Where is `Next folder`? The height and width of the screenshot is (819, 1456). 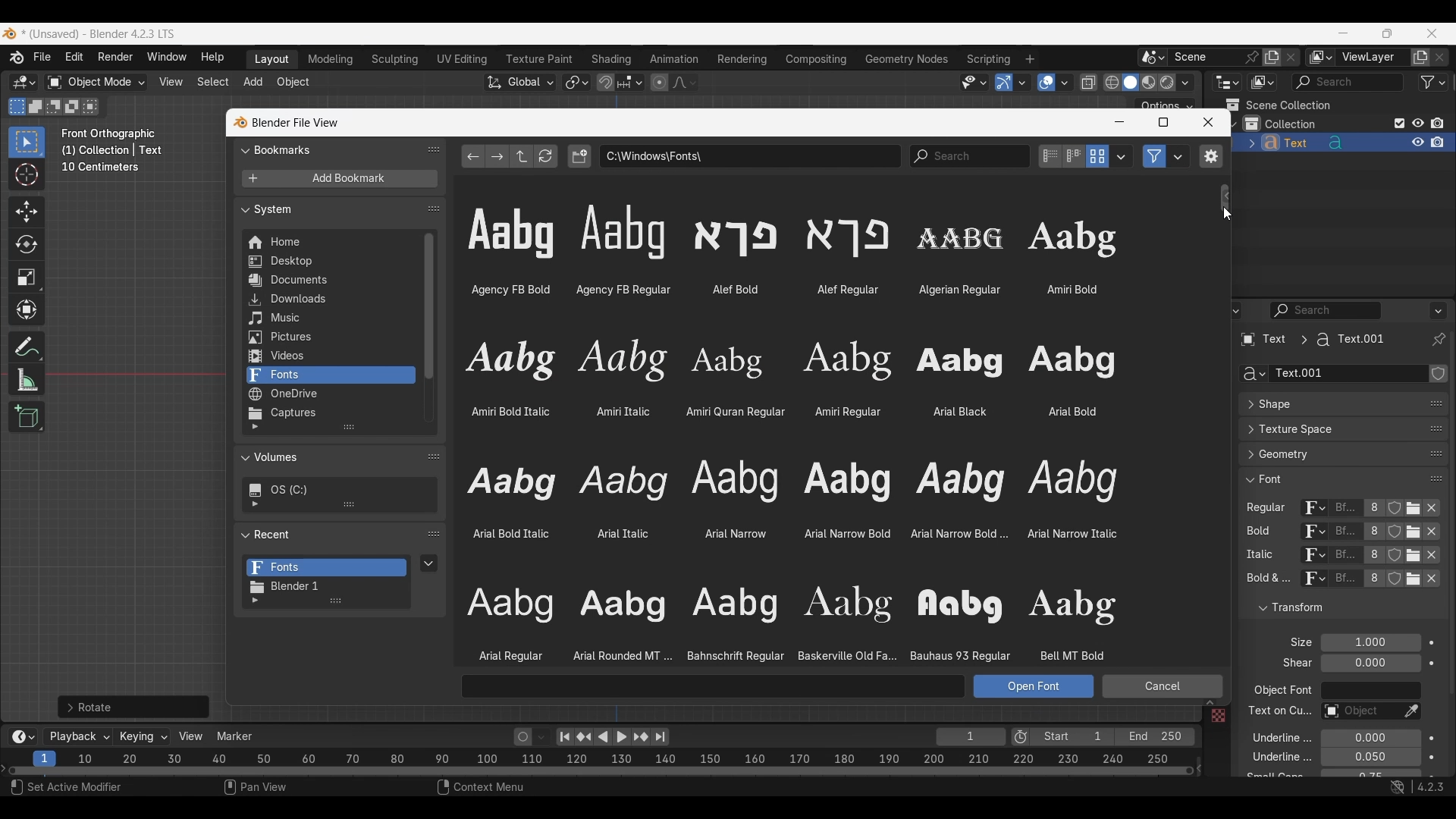
Next folder is located at coordinates (497, 156).